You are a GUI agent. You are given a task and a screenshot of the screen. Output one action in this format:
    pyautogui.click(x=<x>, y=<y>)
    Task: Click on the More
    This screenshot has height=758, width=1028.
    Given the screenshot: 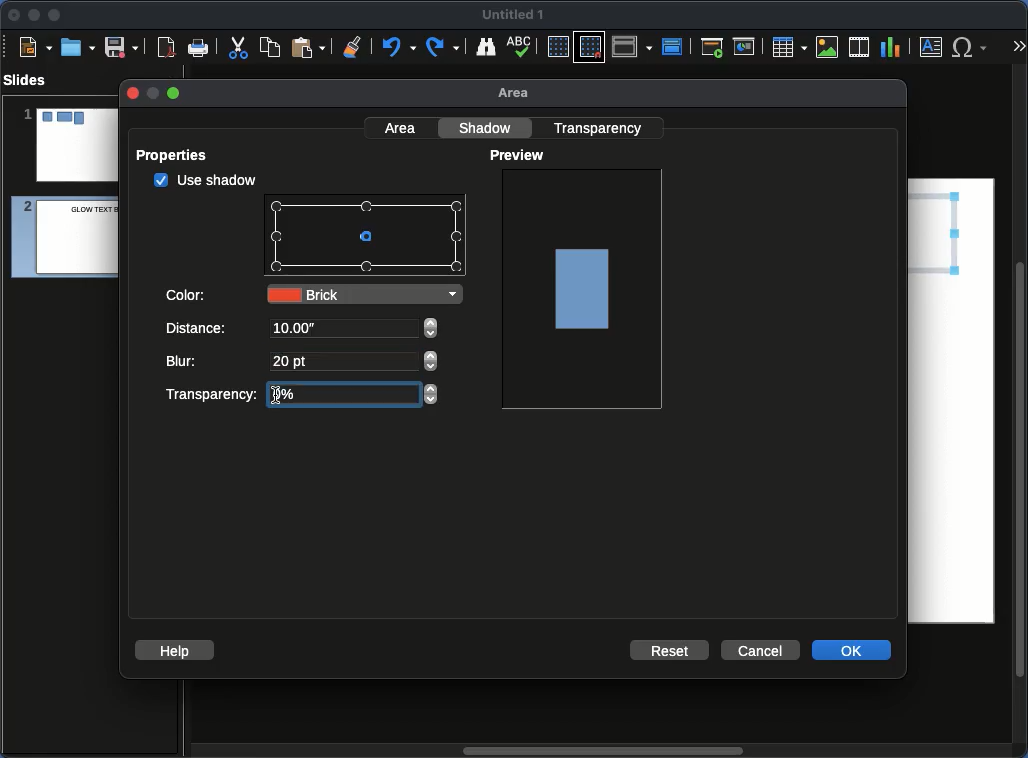 What is the action you would take?
    pyautogui.click(x=1018, y=48)
    